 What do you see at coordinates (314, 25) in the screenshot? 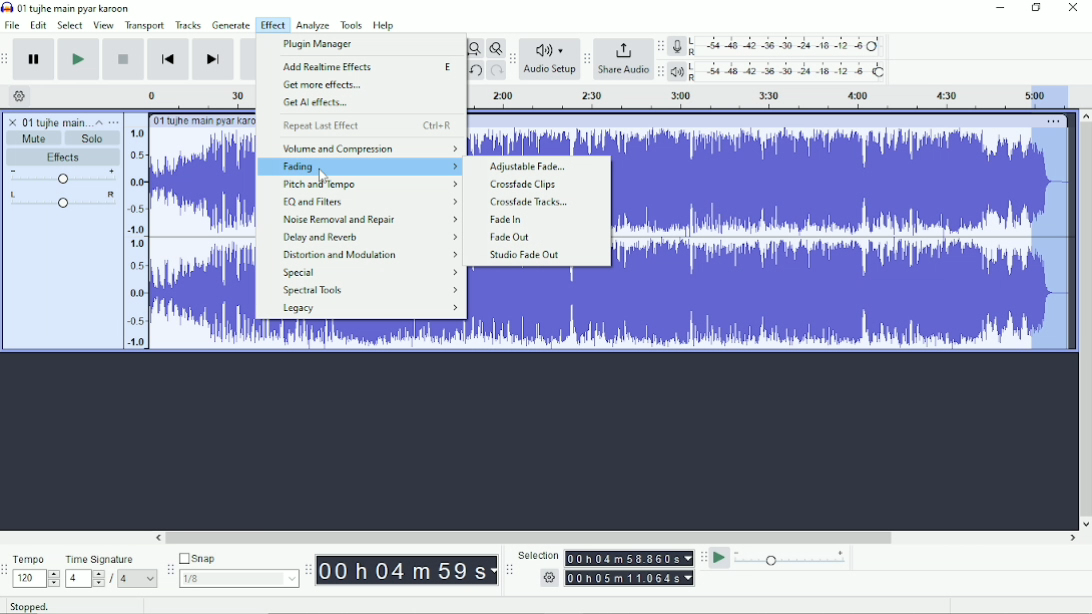
I see `Analyze` at bounding box center [314, 25].